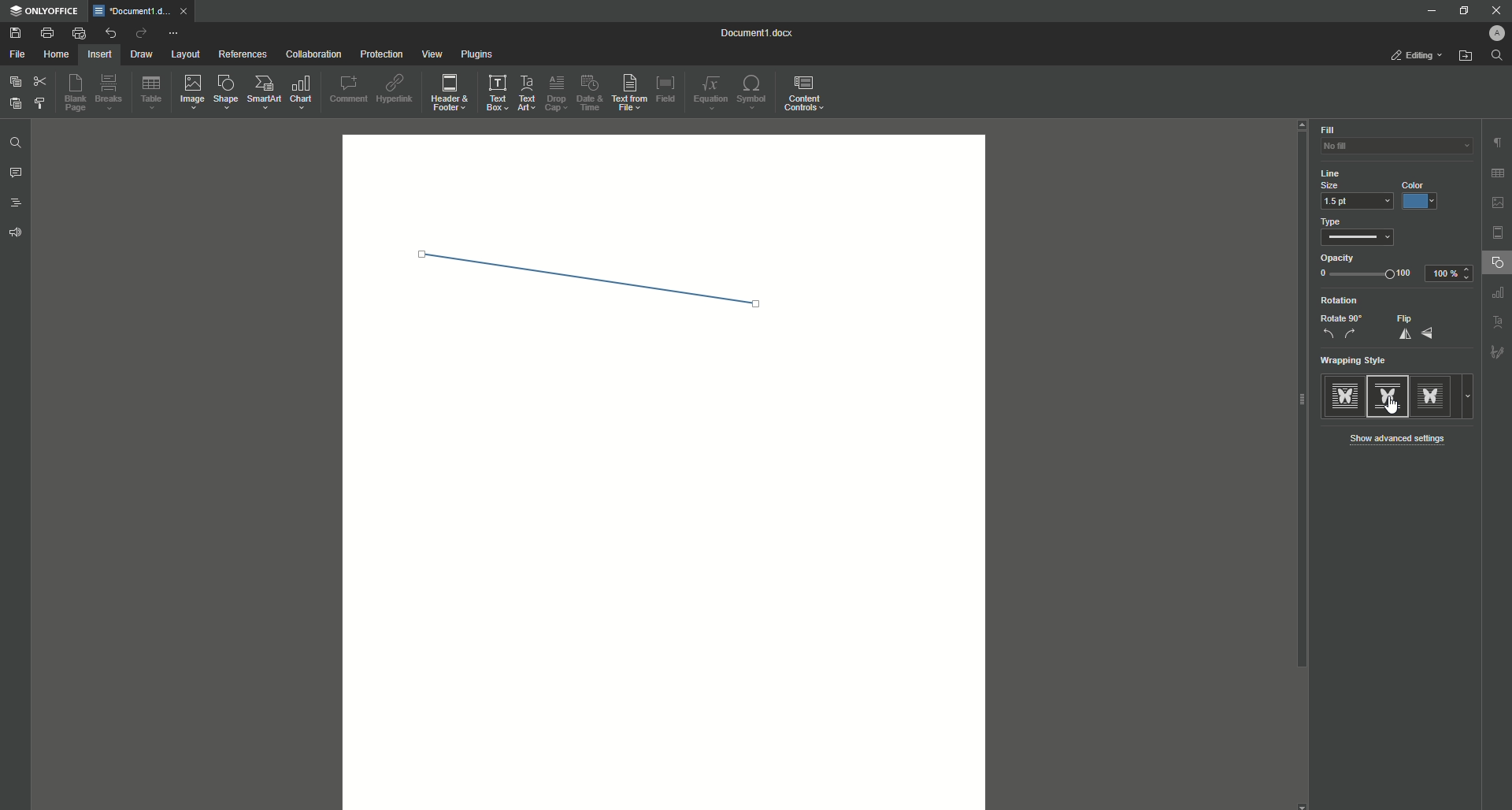 The image size is (1512, 810). Describe the element at coordinates (175, 34) in the screenshot. I see `More Options` at that location.